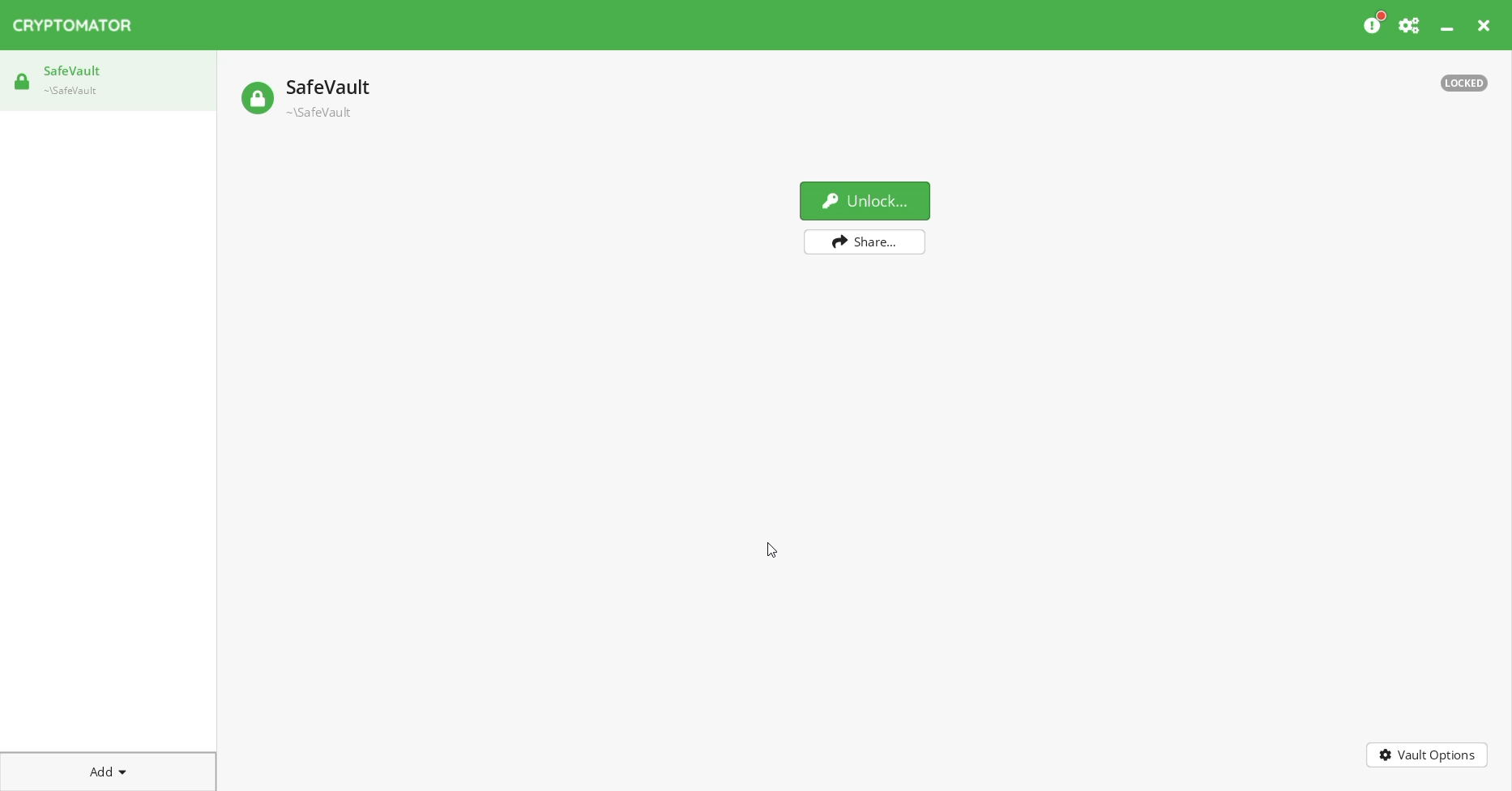 The image size is (1512, 791). What do you see at coordinates (772, 551) in the screenshot?
I see `Cursor` at bounding box center [772, 551].